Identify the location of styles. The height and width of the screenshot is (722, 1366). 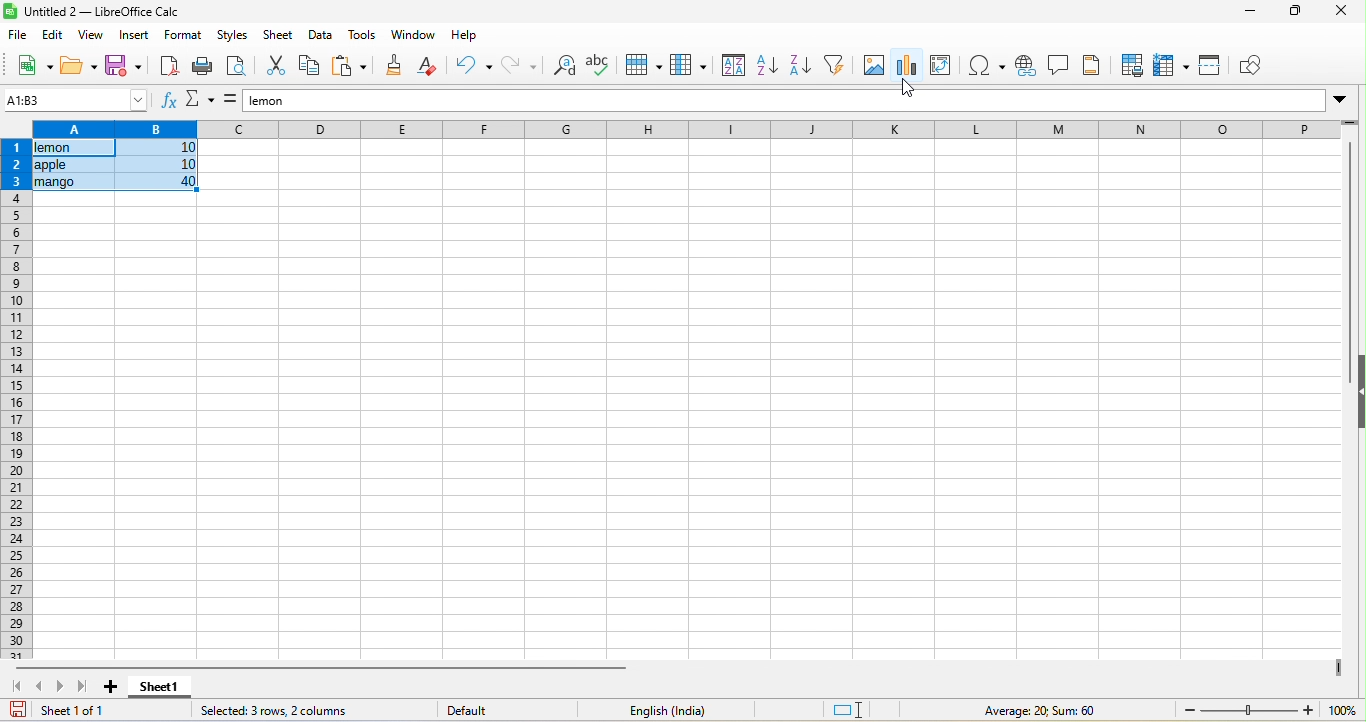
(234, 37).